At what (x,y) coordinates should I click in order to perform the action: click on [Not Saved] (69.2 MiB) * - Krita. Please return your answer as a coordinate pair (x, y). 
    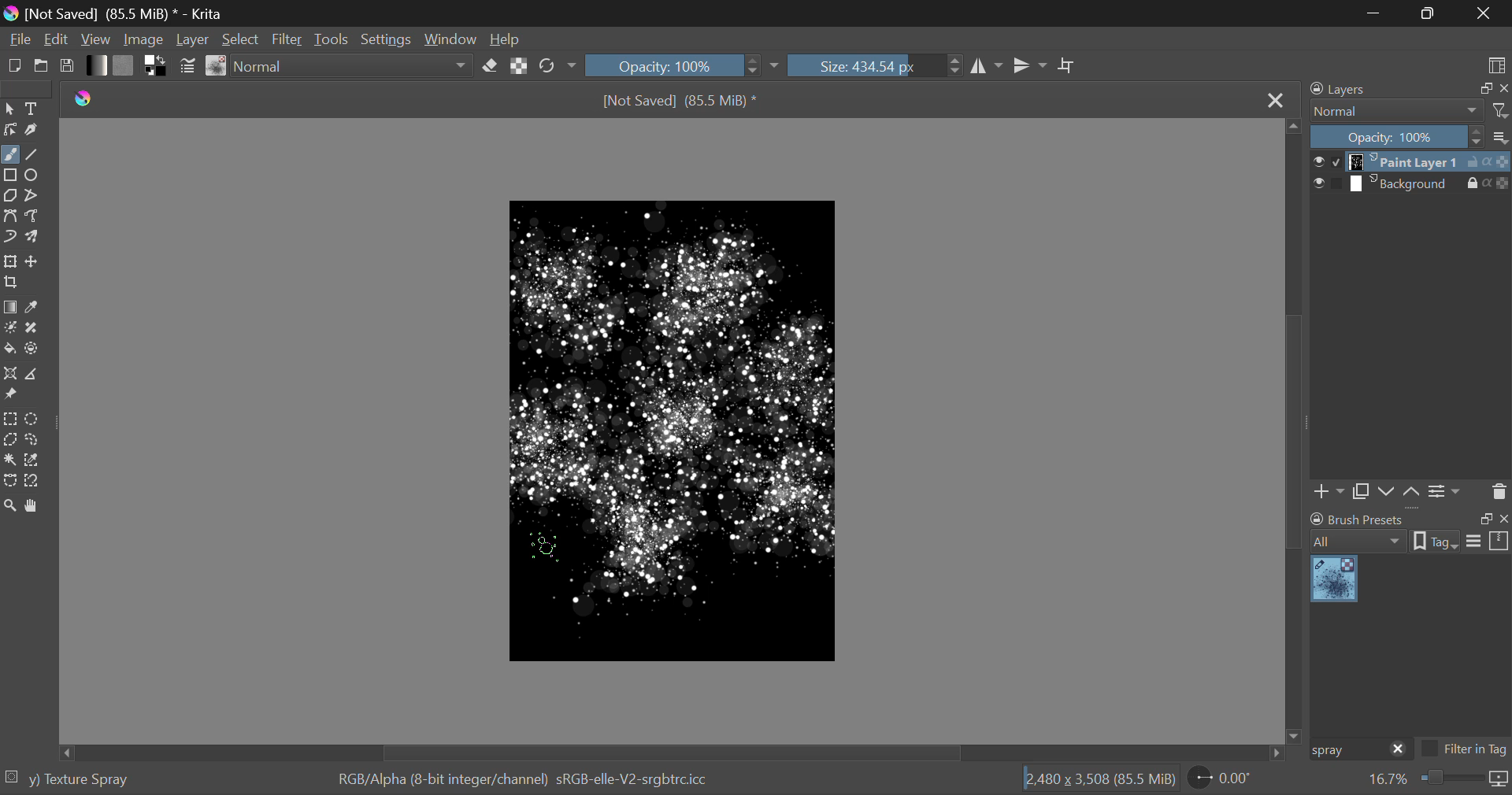
    Looking at the image, I should click on (136, 13).